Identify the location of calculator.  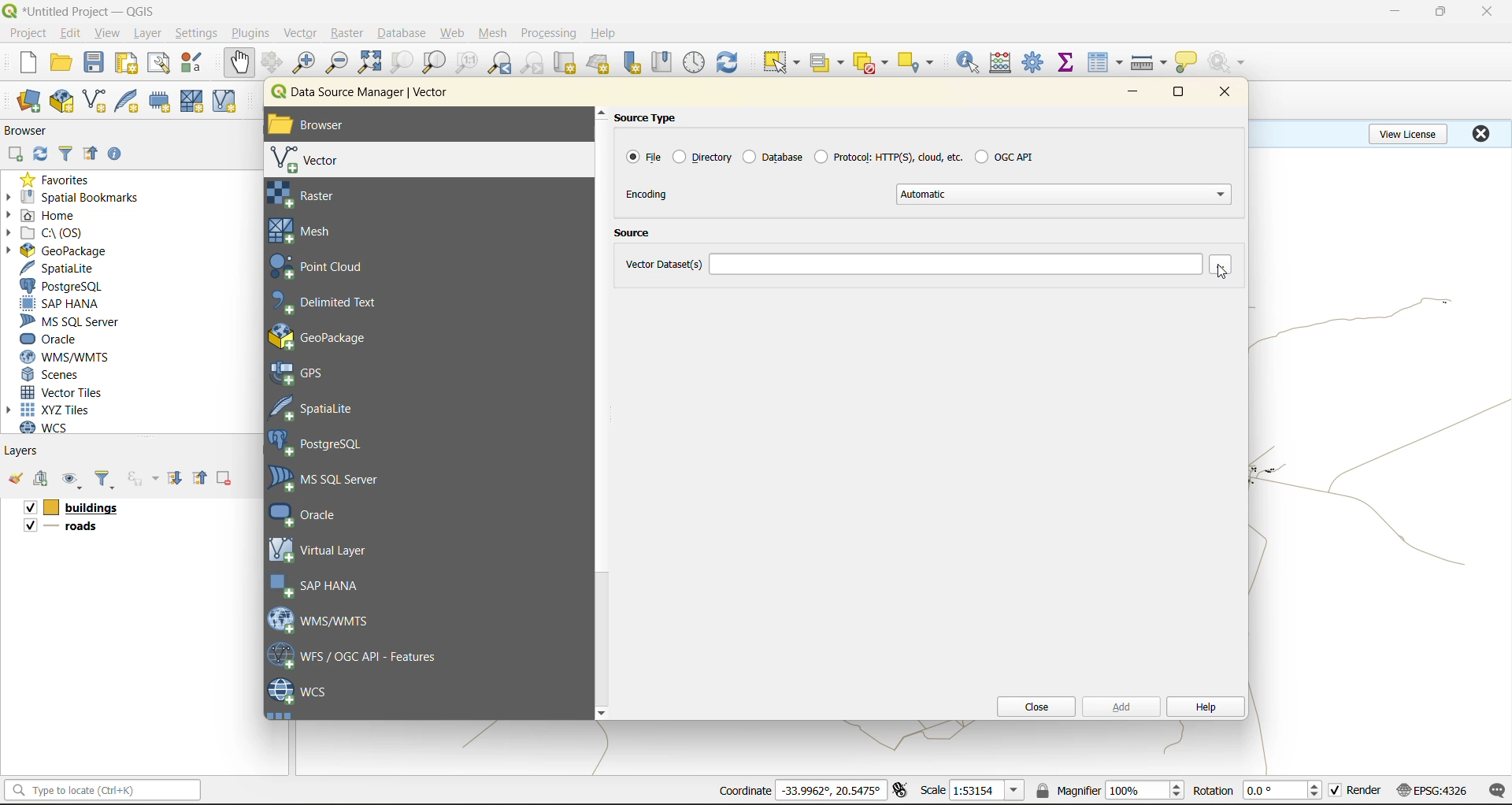
(1006, 65).